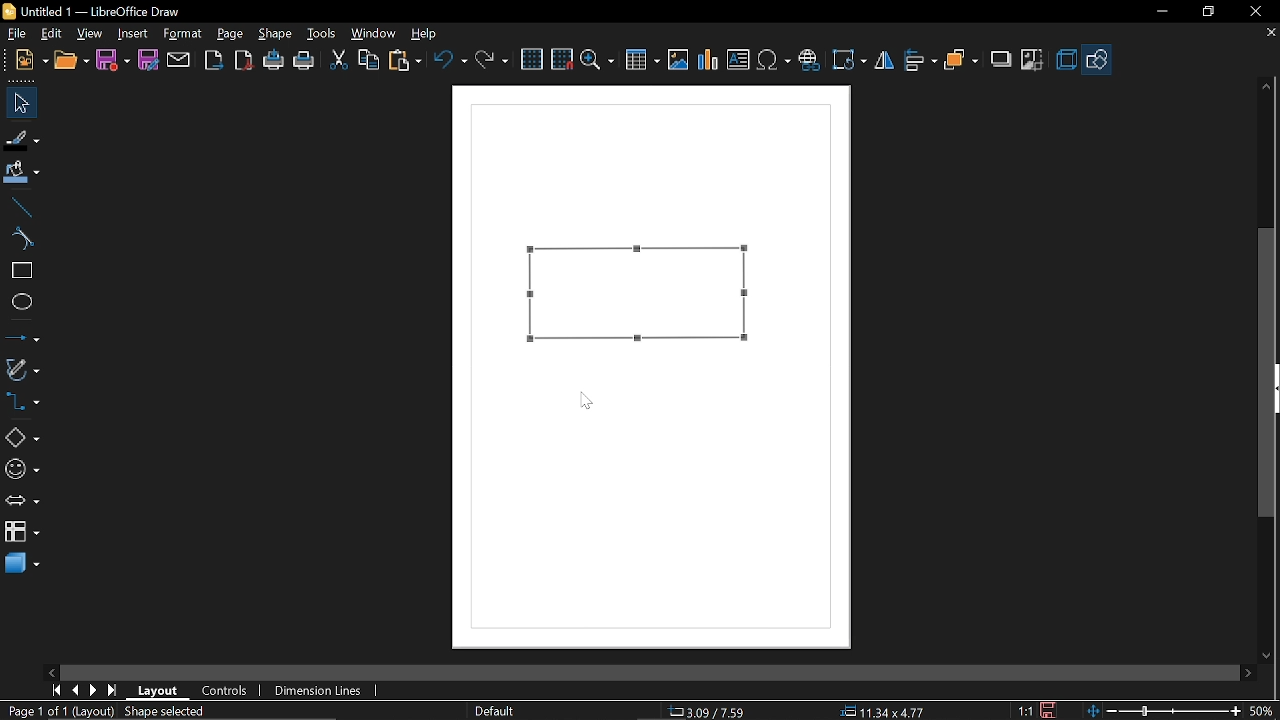 The height and width of the screenshot is (720, 1280). What do you see at coordinates (1252, 12) in the screenshot?
I see `close` at bounding box center [1252, 12].